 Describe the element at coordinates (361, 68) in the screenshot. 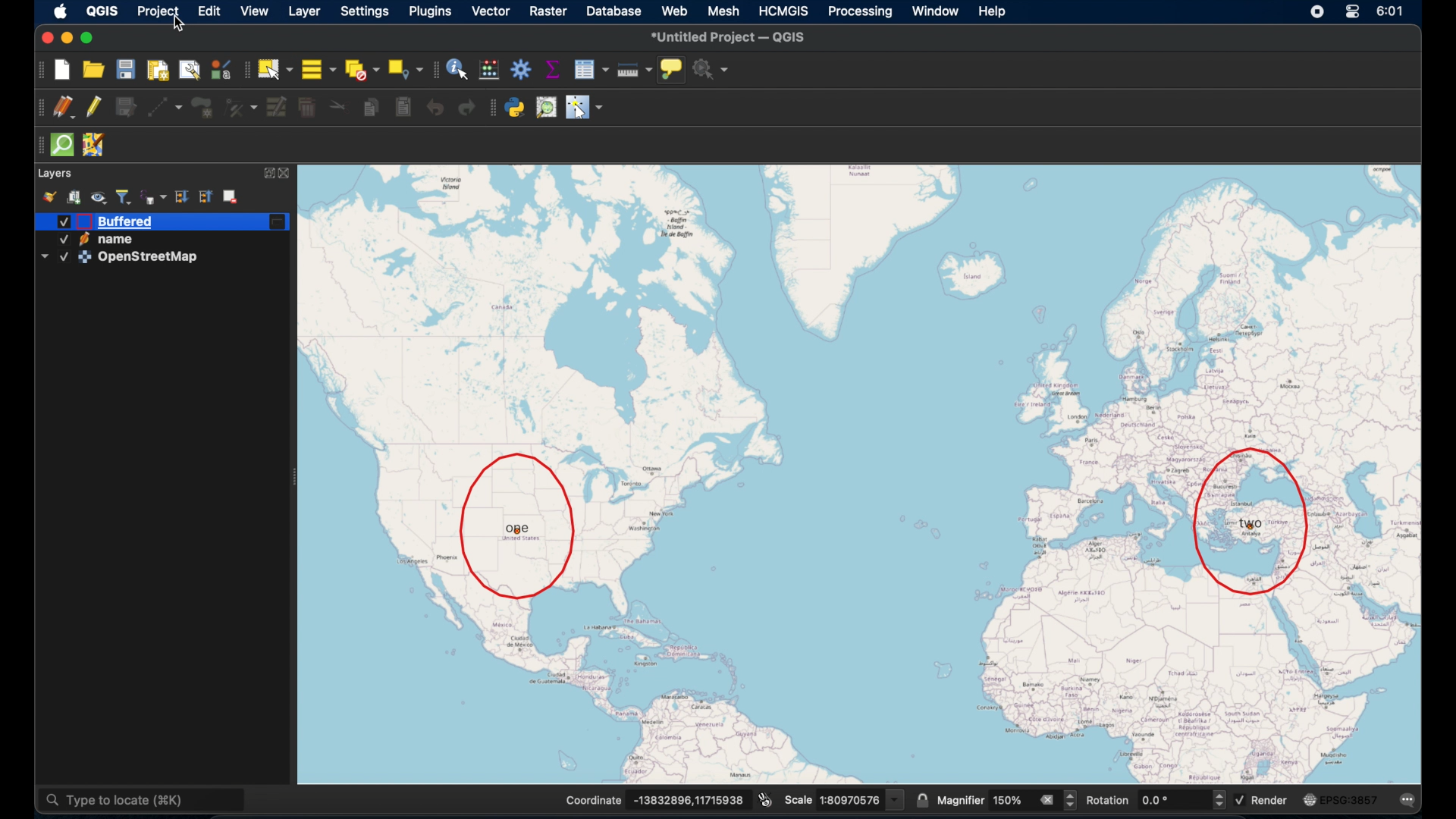

I see `deselect features` at that location.